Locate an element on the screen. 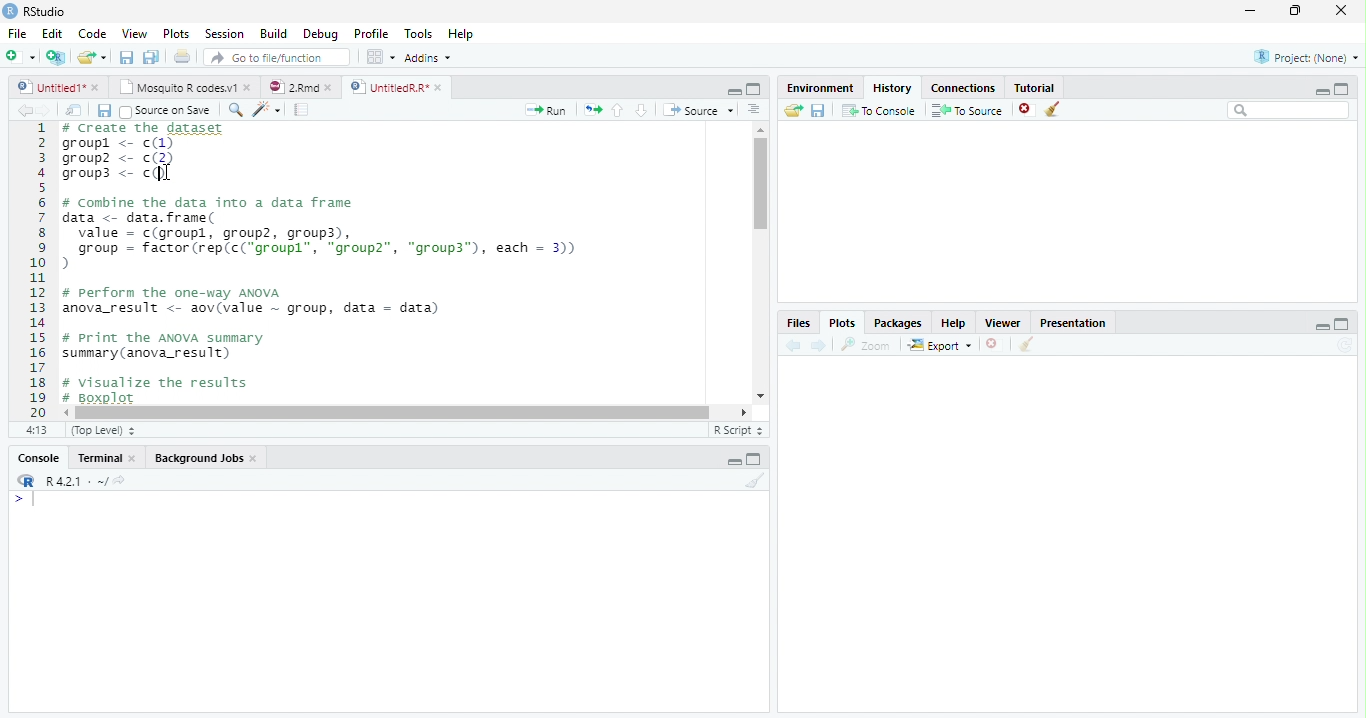 The height and width of the screenshot is (718, 1366). 1 is located at coordinates (37, 268).